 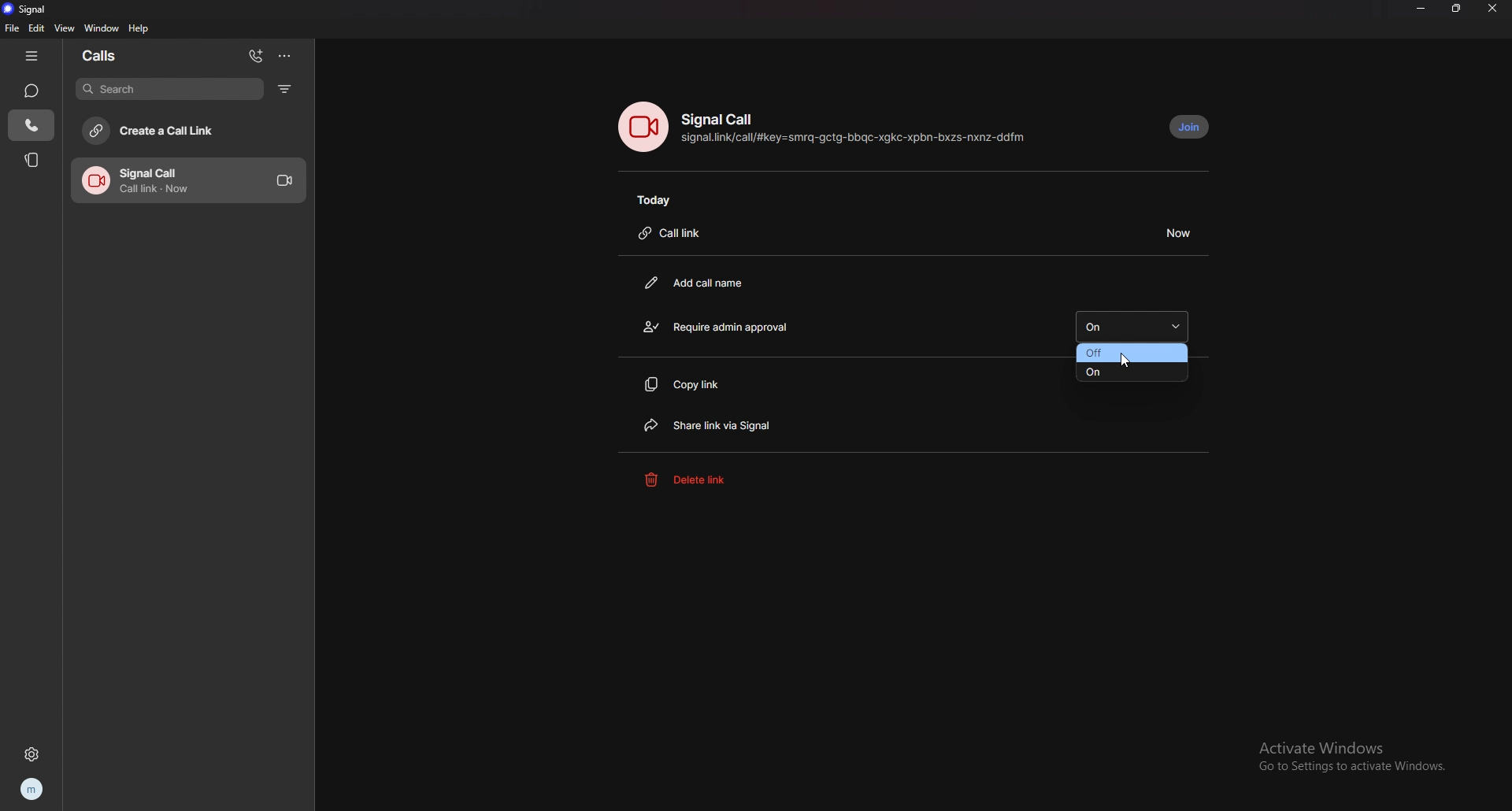 I want to click on options, so click(x=283, y=56).